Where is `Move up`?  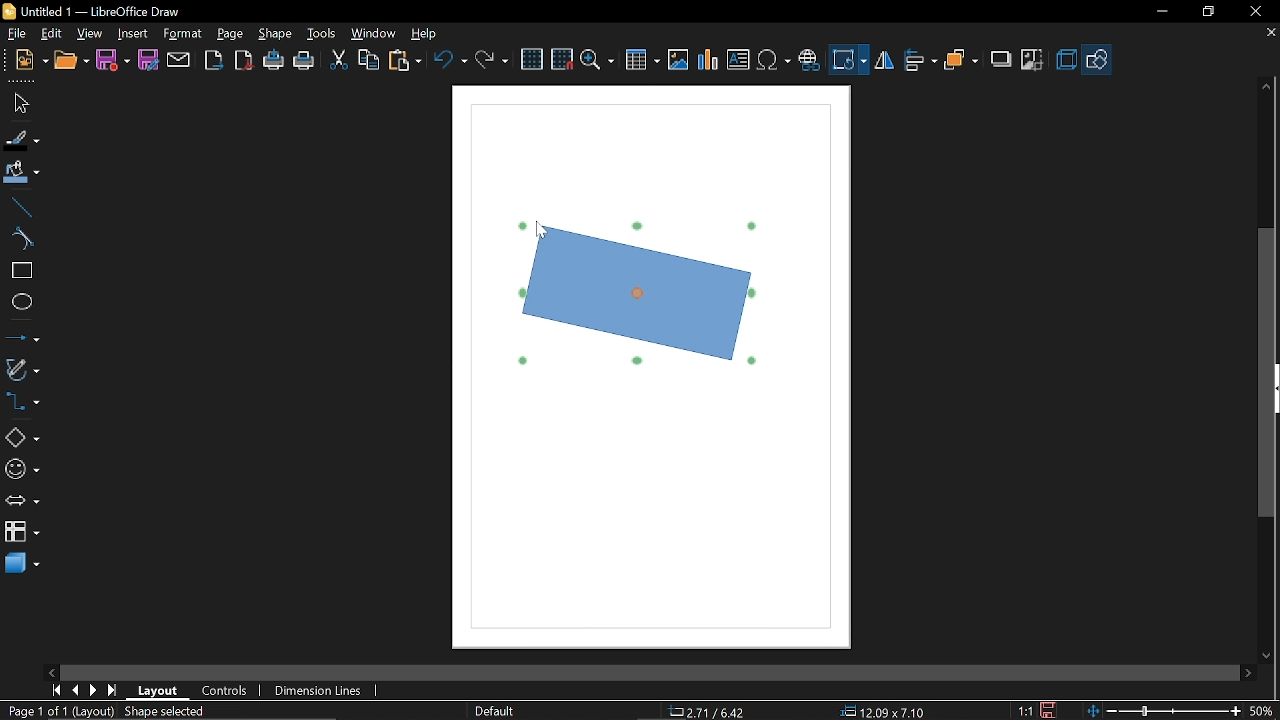 Move up is located at coordinates (1268, 86).